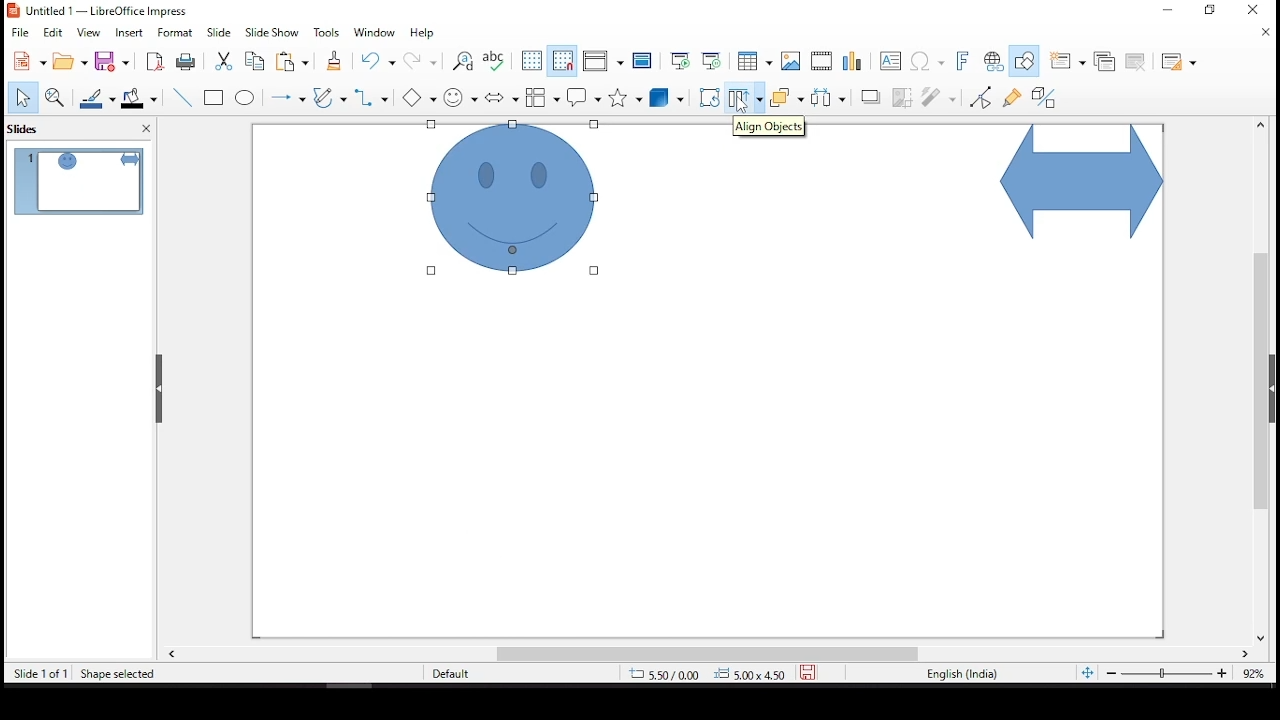 The height and width of the screenshot is (720, 1280). I want to click on file, so click(20, 31).